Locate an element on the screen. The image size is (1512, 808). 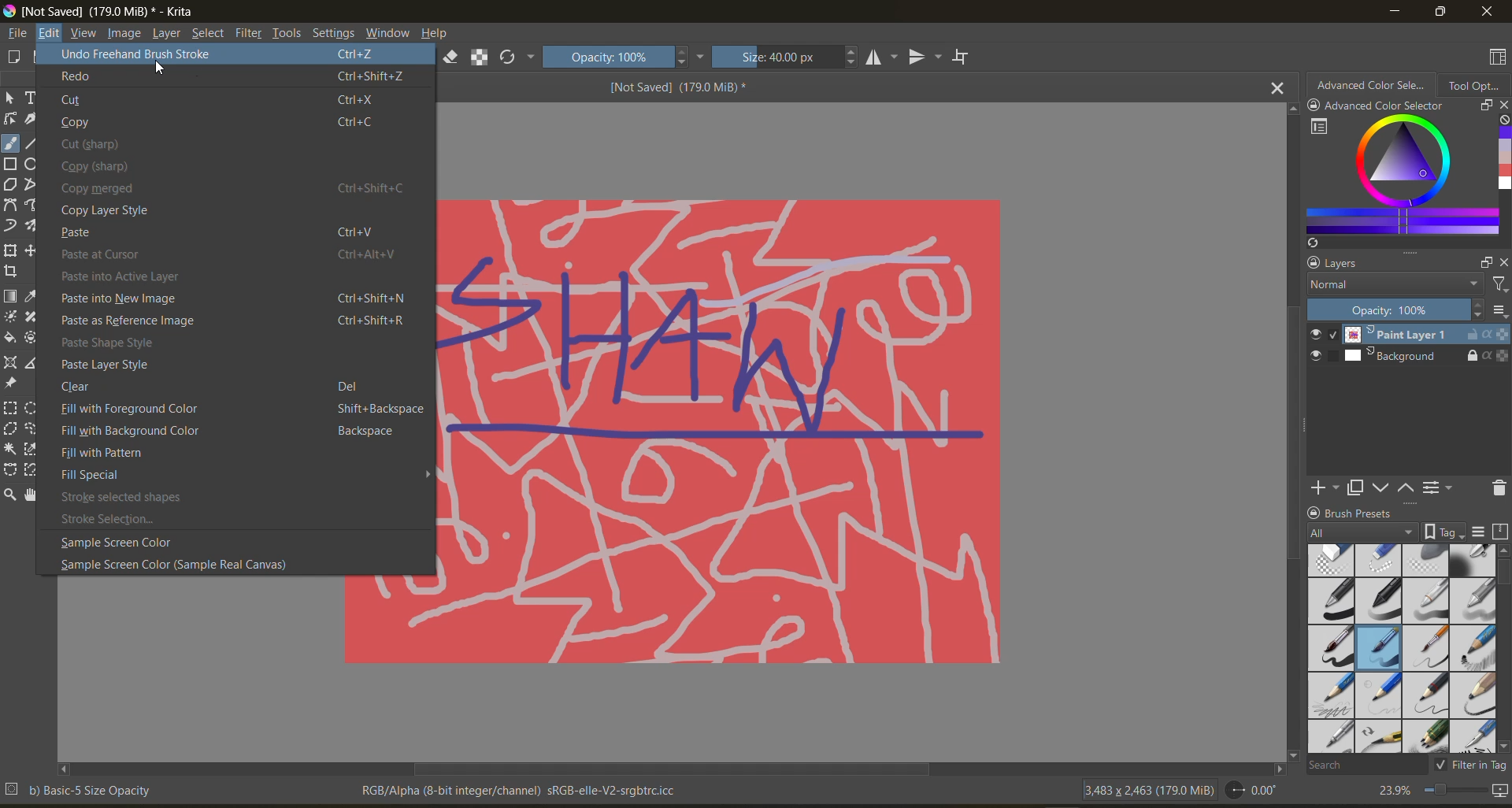
close docker is located at coordinates (1503, 106).